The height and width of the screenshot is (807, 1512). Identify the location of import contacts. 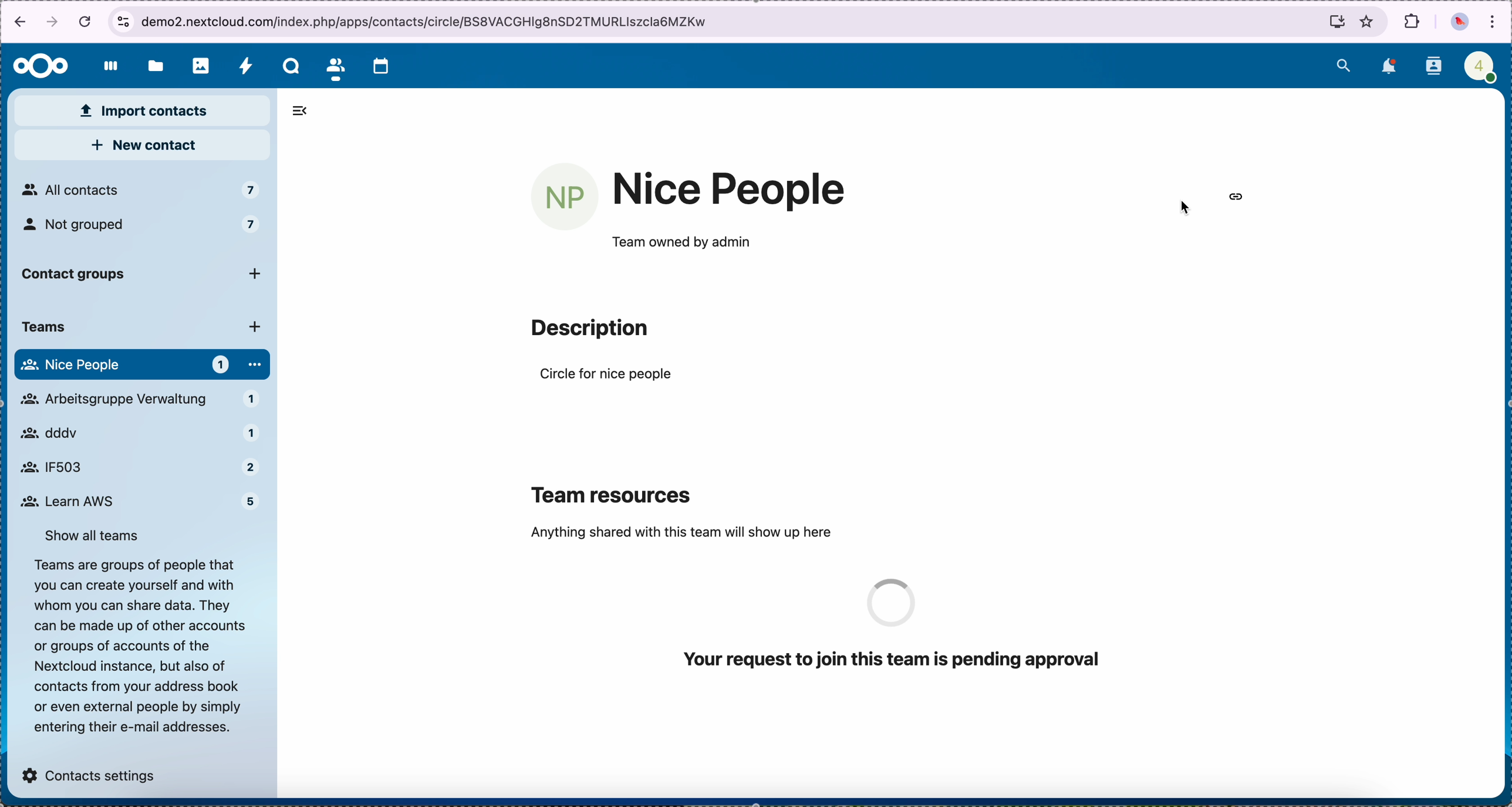
(143, 111).